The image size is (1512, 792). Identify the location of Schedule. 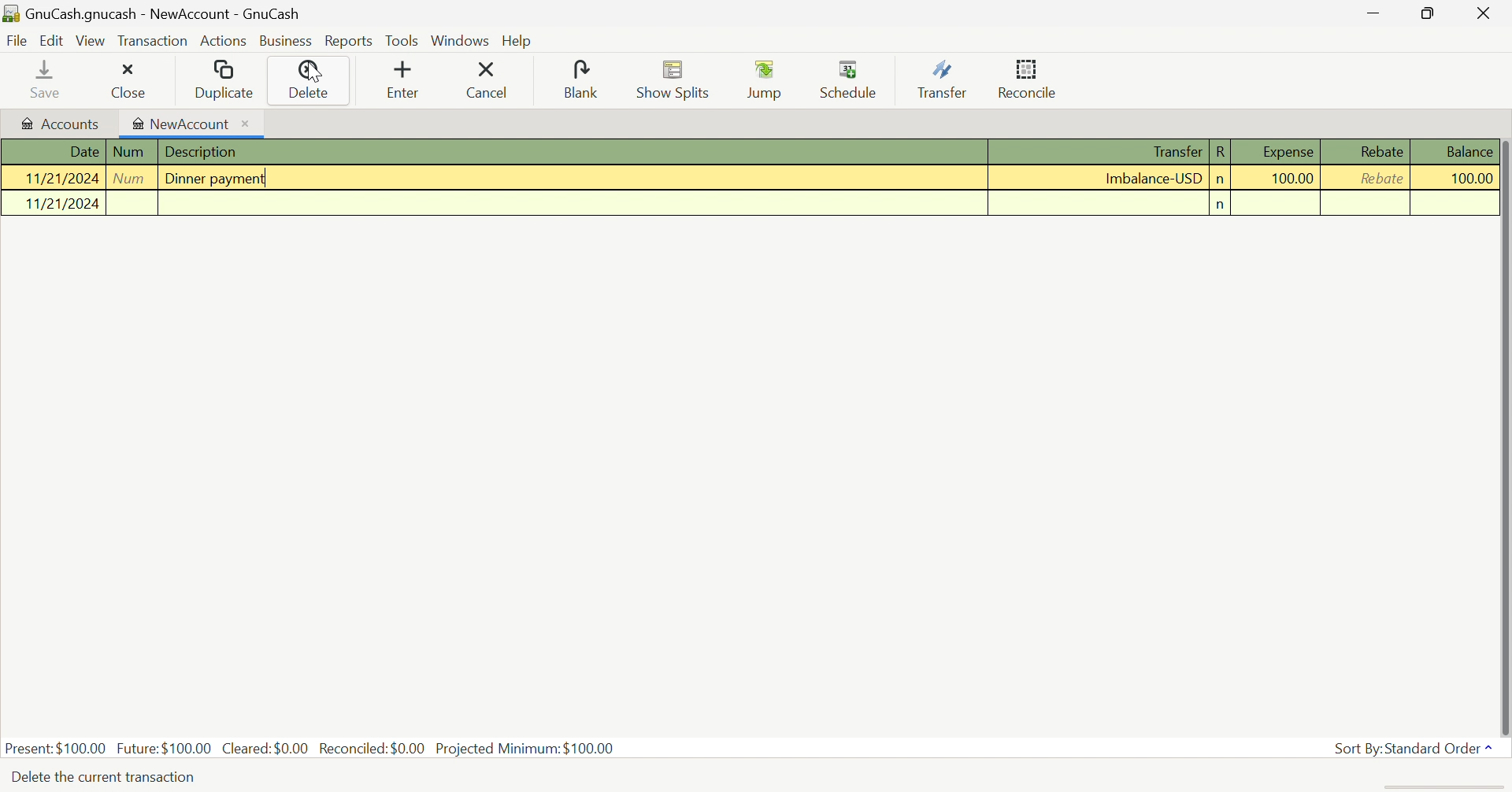
(853, 77).